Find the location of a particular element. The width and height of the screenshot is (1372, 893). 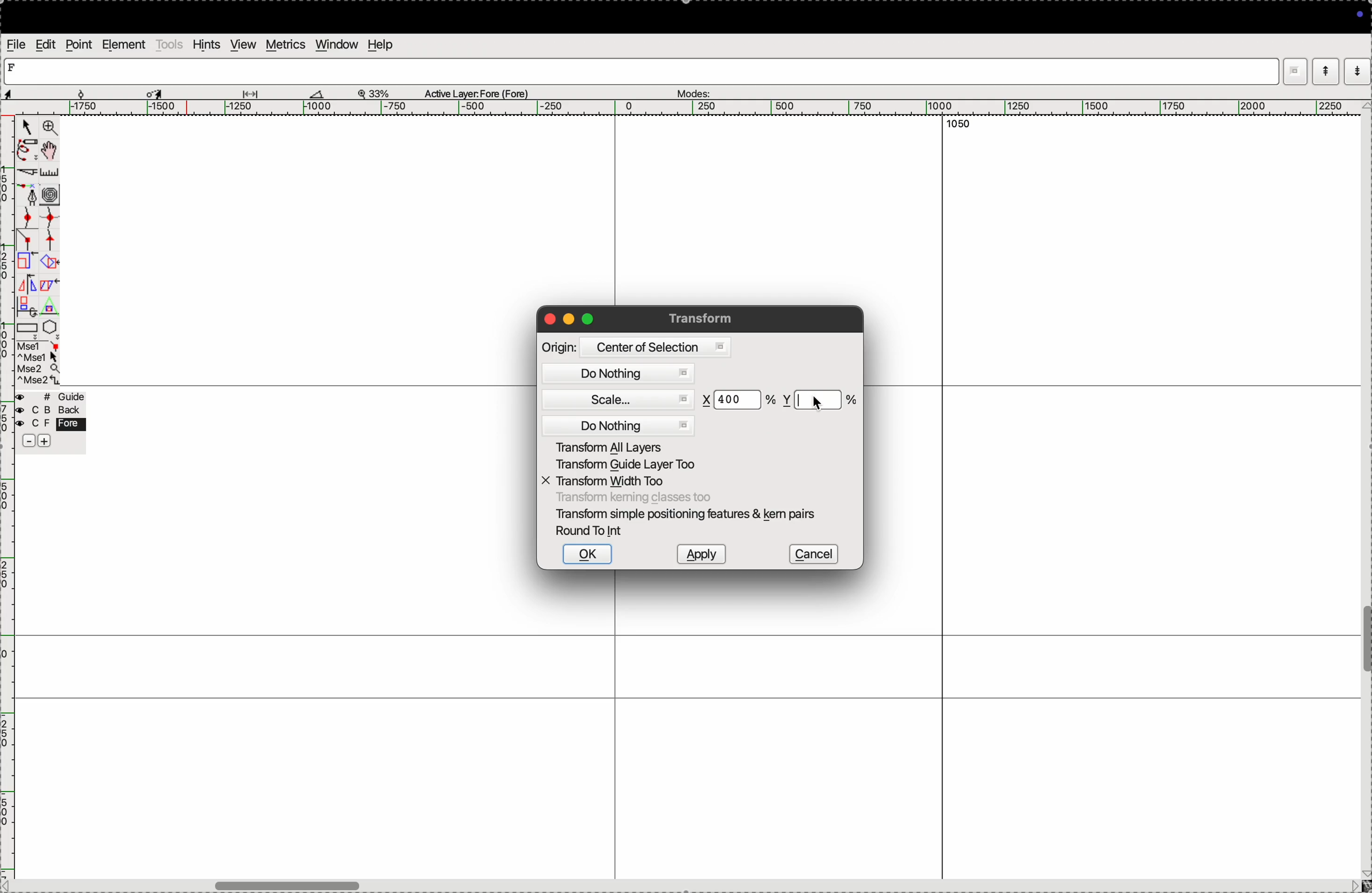

y co ordinate is located at coordinates (787, 400).